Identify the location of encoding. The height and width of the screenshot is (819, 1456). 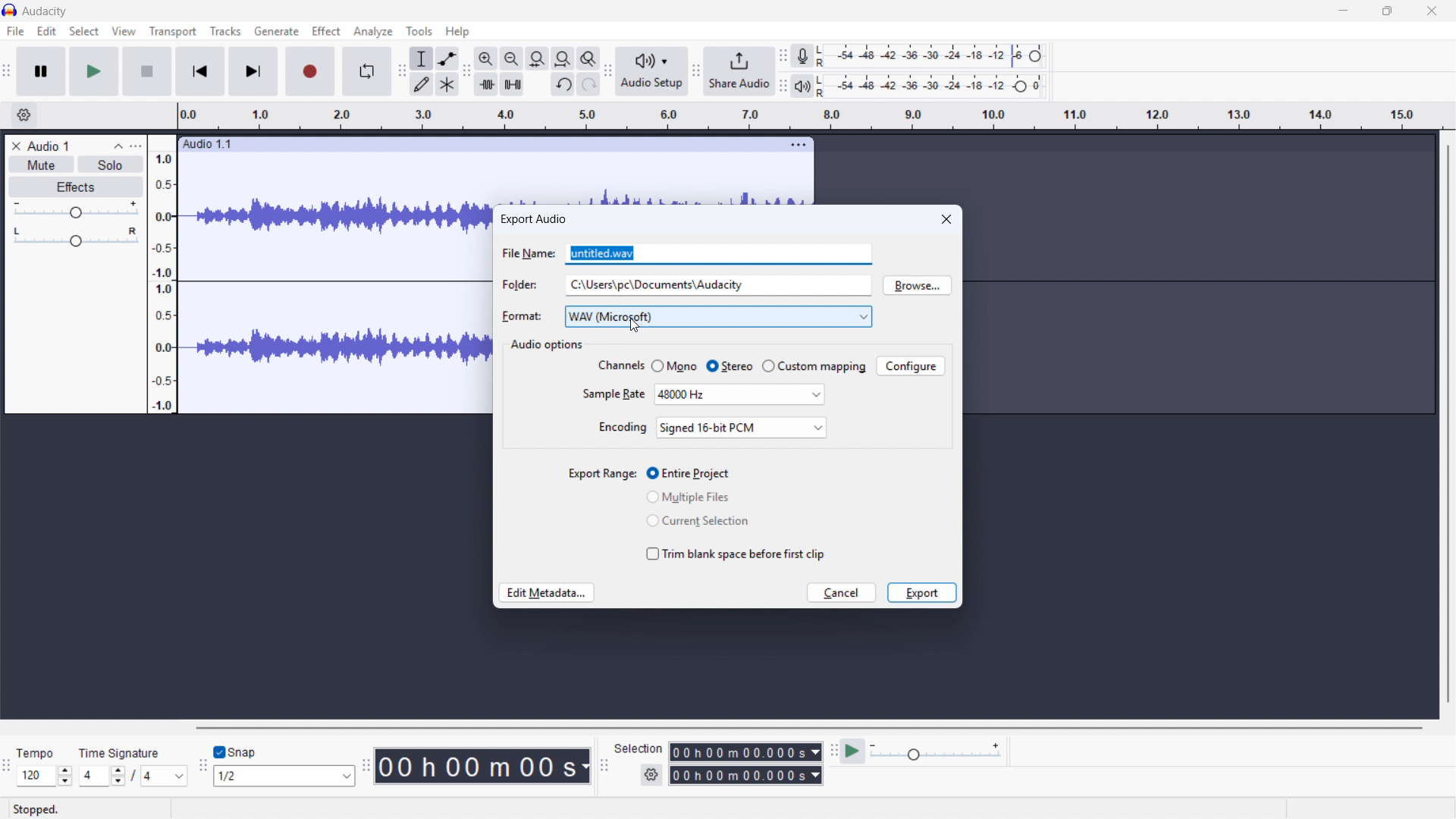
(620, 426).